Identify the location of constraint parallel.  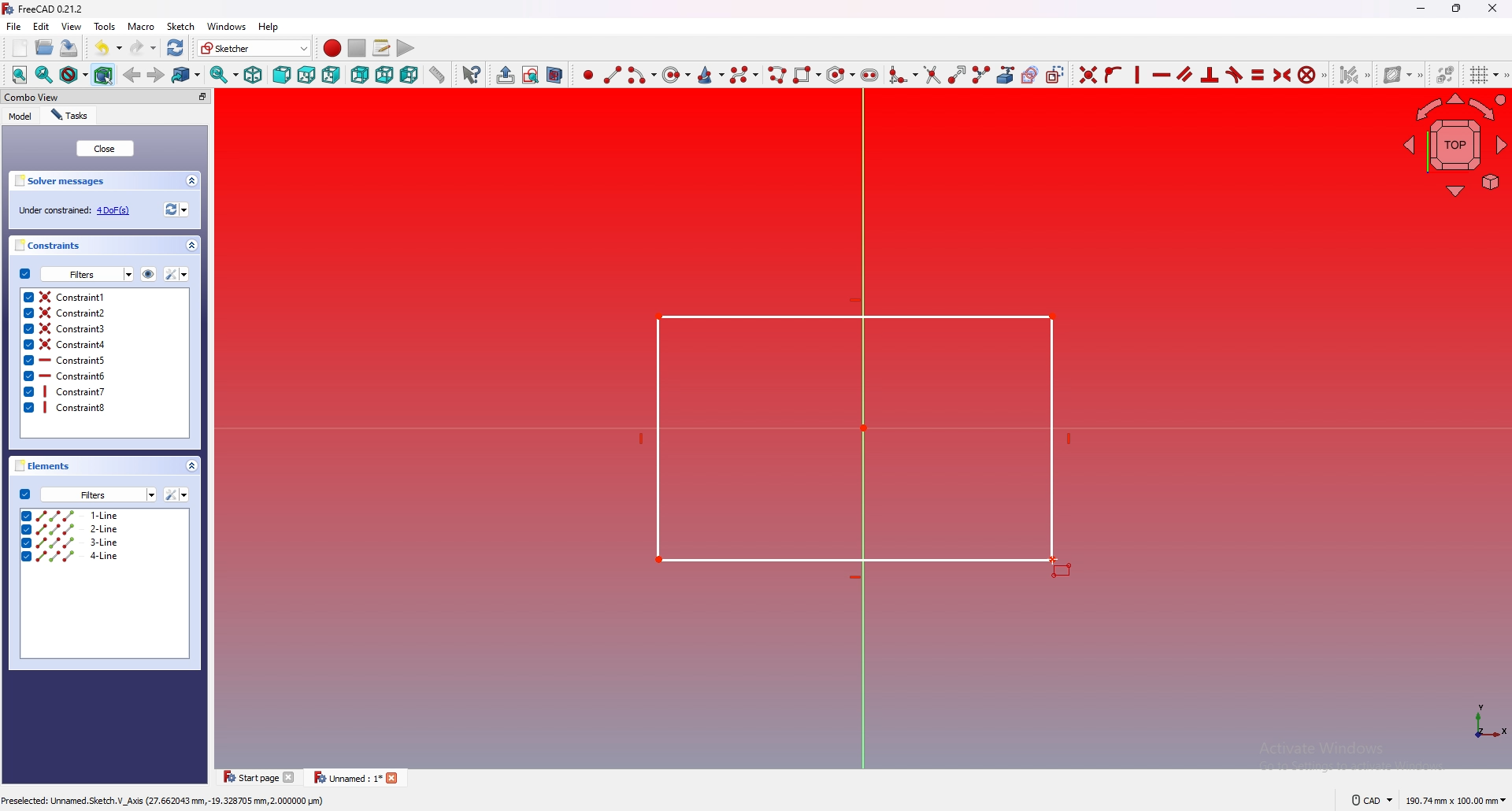
(1186, 74).